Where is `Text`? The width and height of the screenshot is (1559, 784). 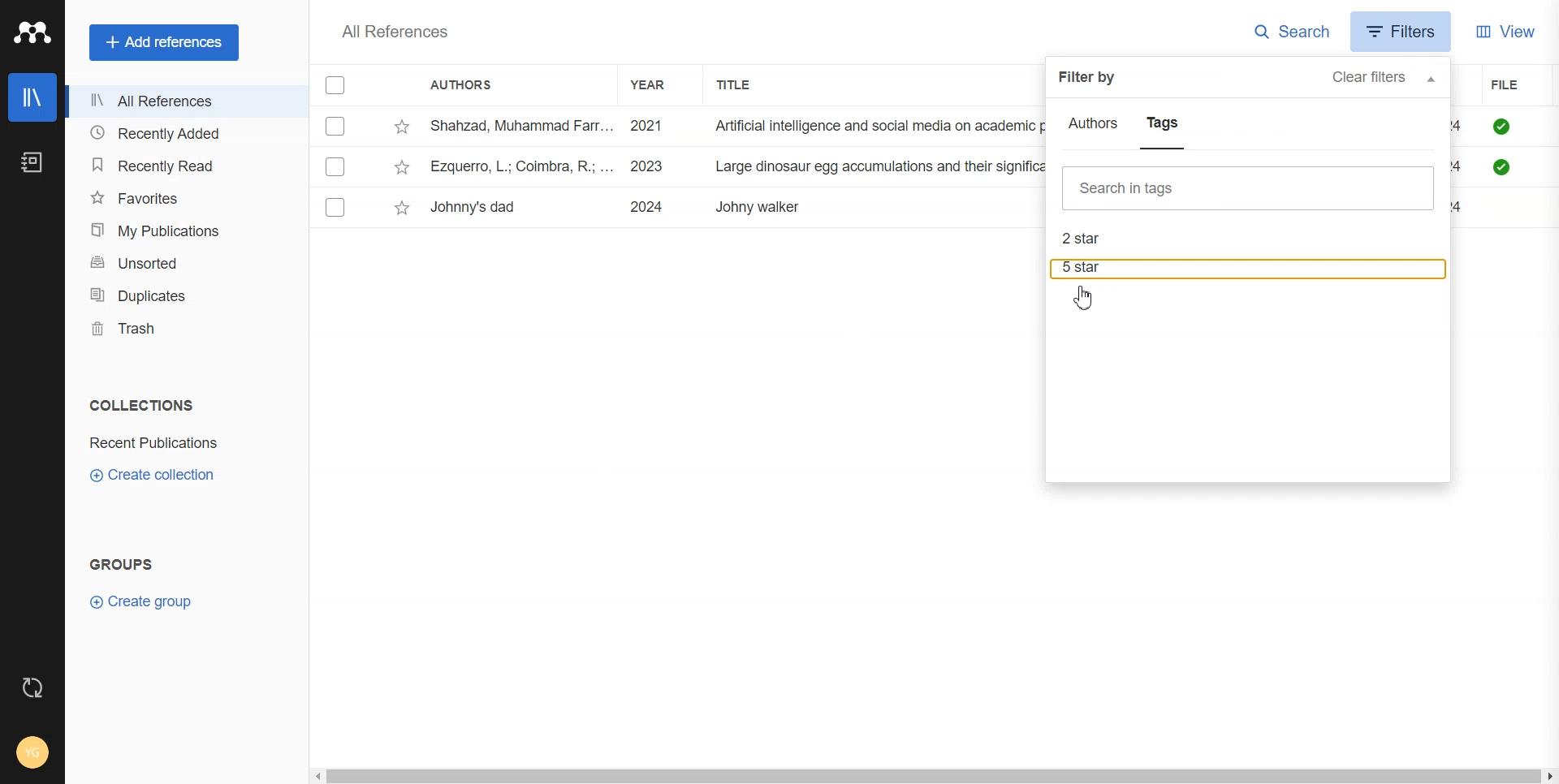 Text is located at coordinates (394, 31).